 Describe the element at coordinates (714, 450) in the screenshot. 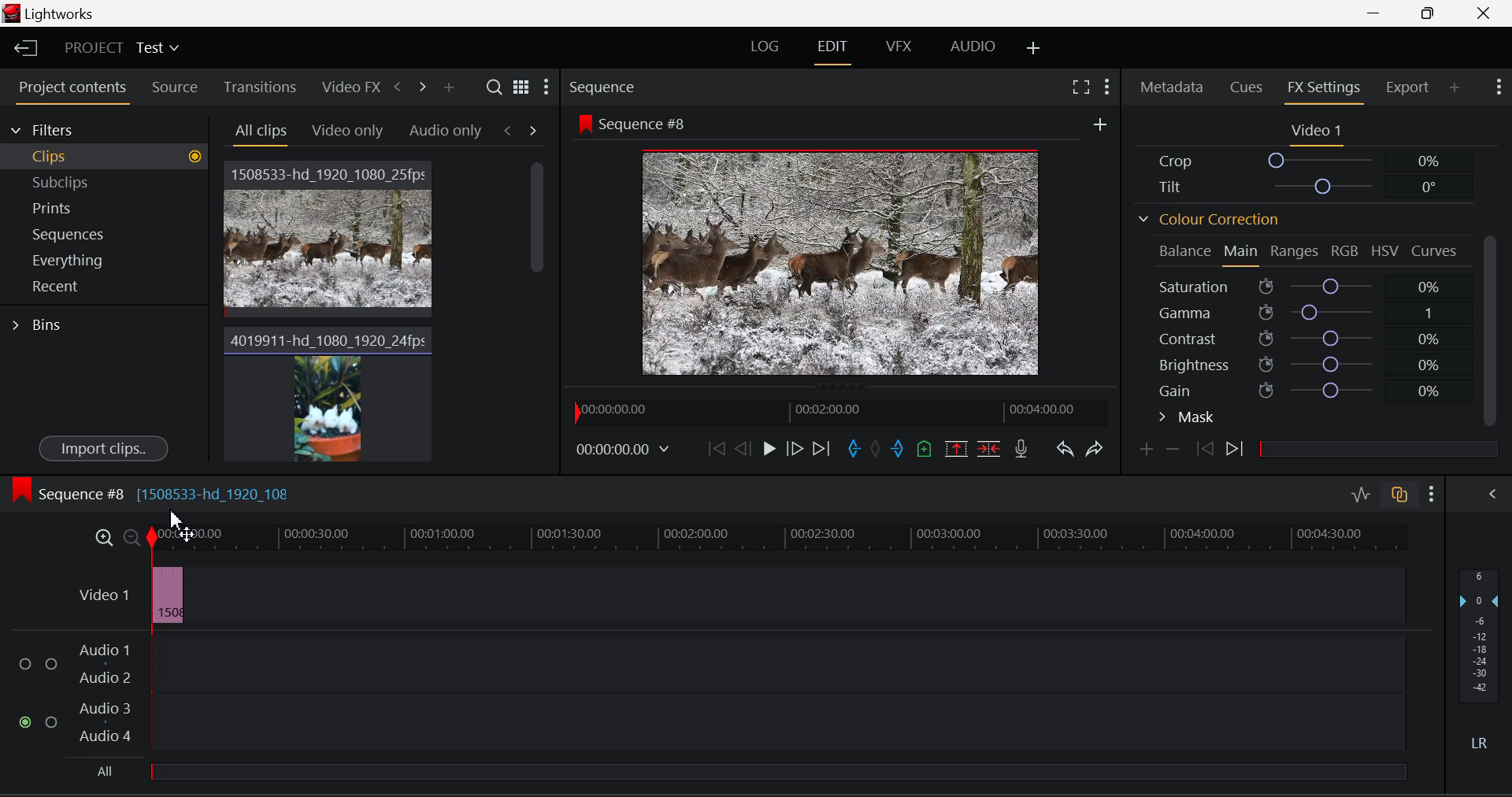

I see `To Beginning` at that location.